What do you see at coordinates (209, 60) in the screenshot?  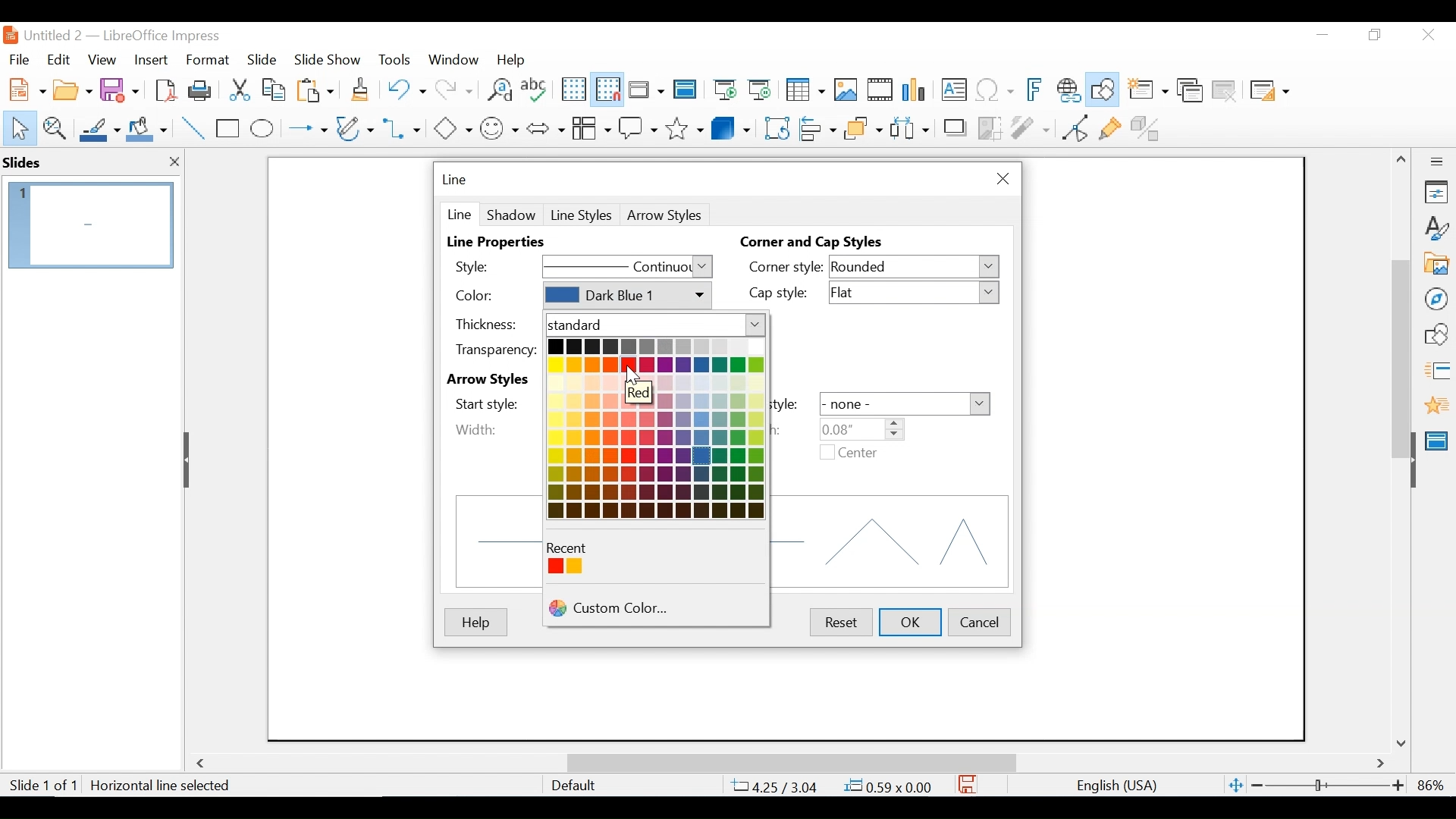 I see `Format` at bounding box center [209, 60].